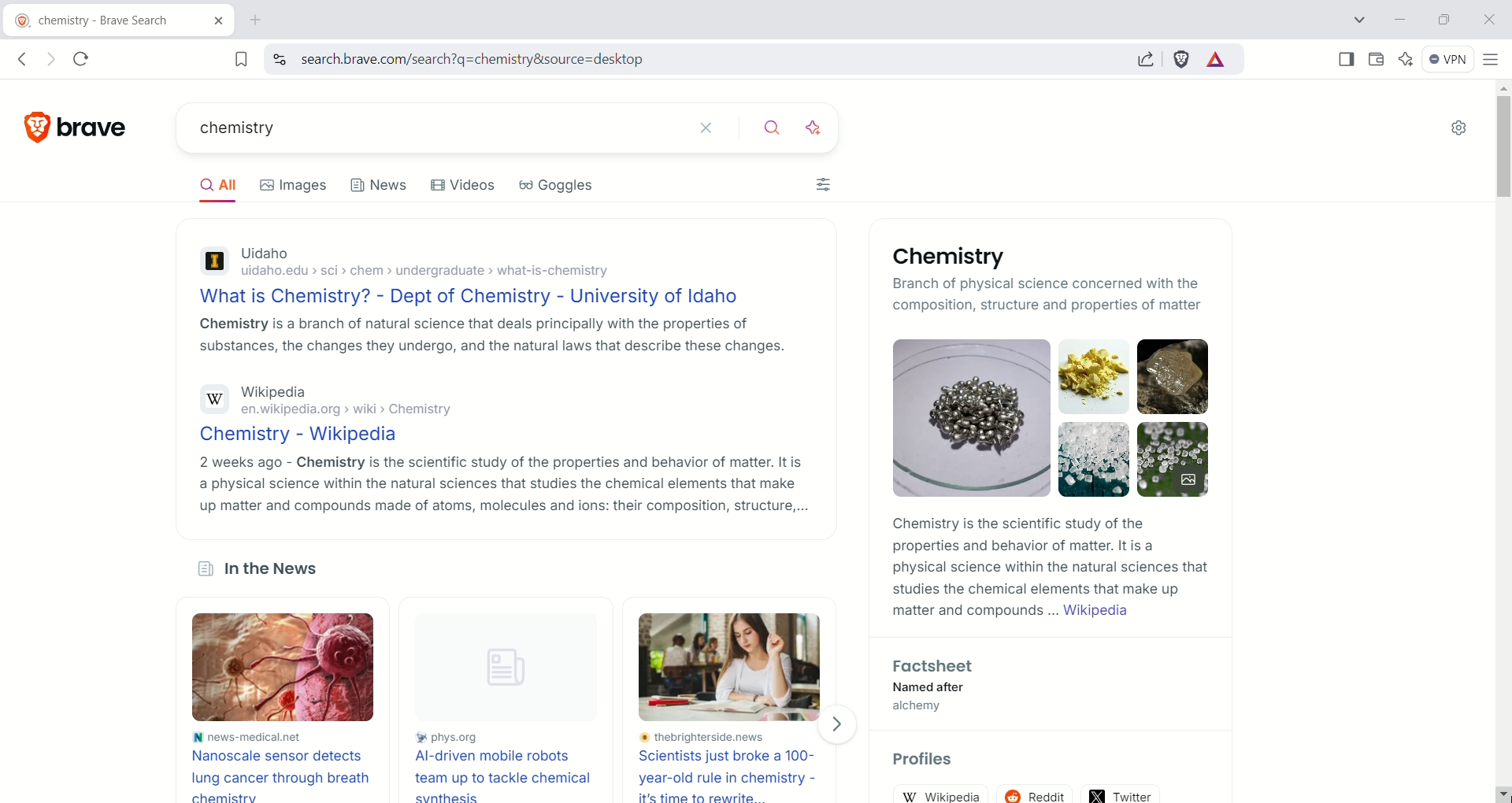 The width and height of the screenshot is (1512, 803). What do you see at coordinates (1443, 18) in the screenshot?
I see `maximize` at bounding box center [1443, 18].